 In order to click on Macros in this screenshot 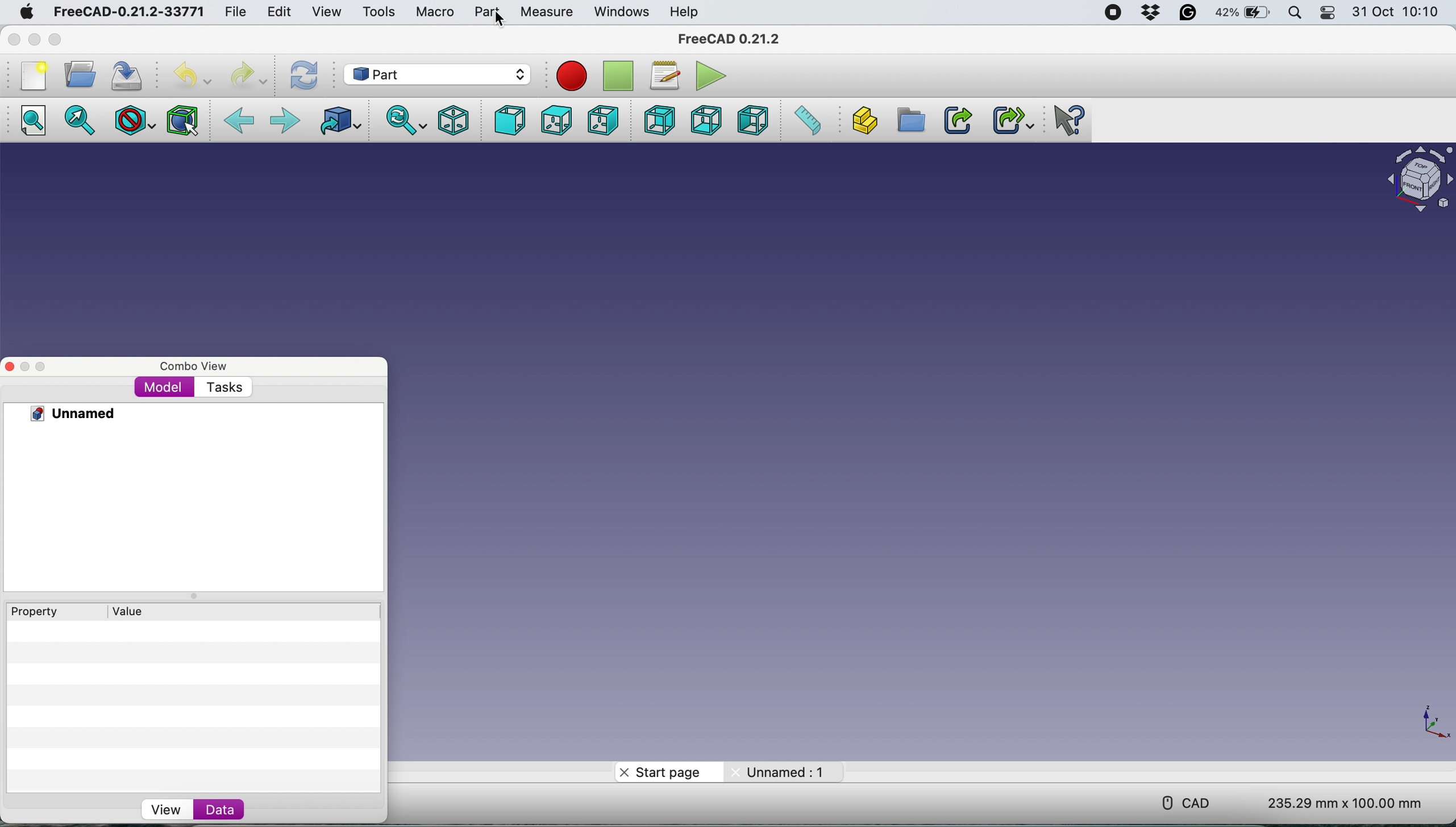, I will do `click(664, 74)`.